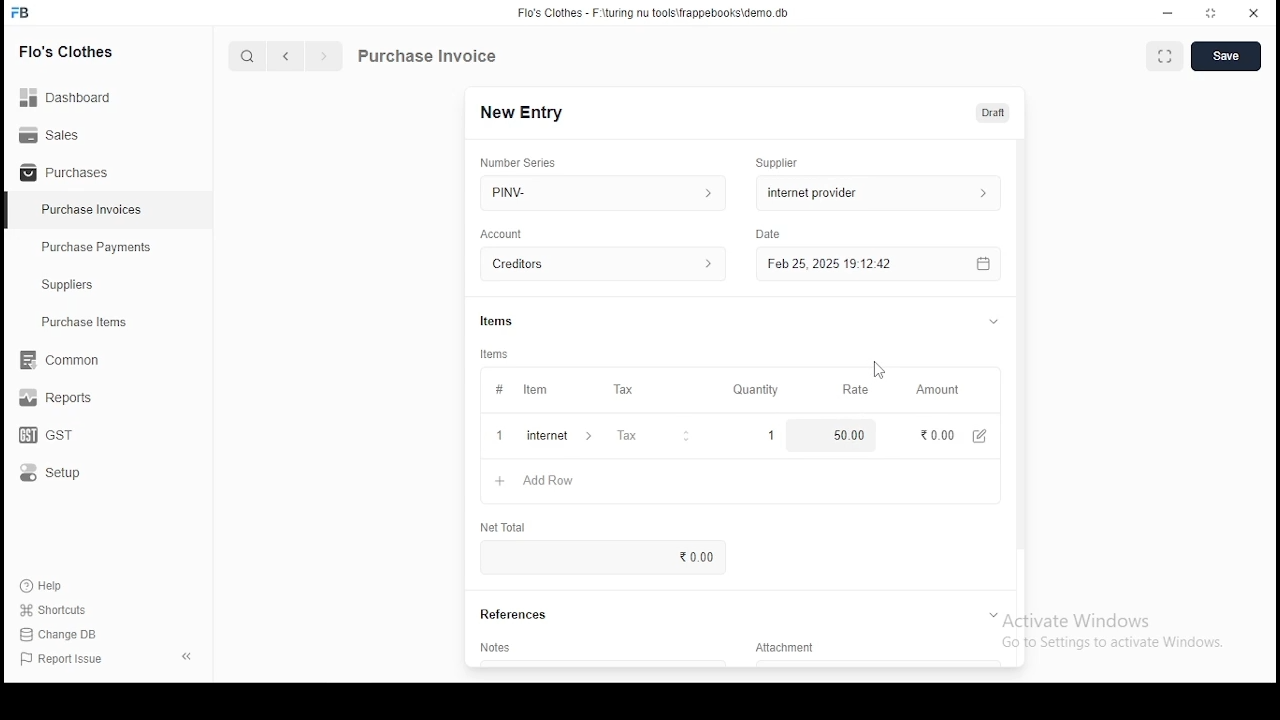  I want to click on tax, so click(623, 390).